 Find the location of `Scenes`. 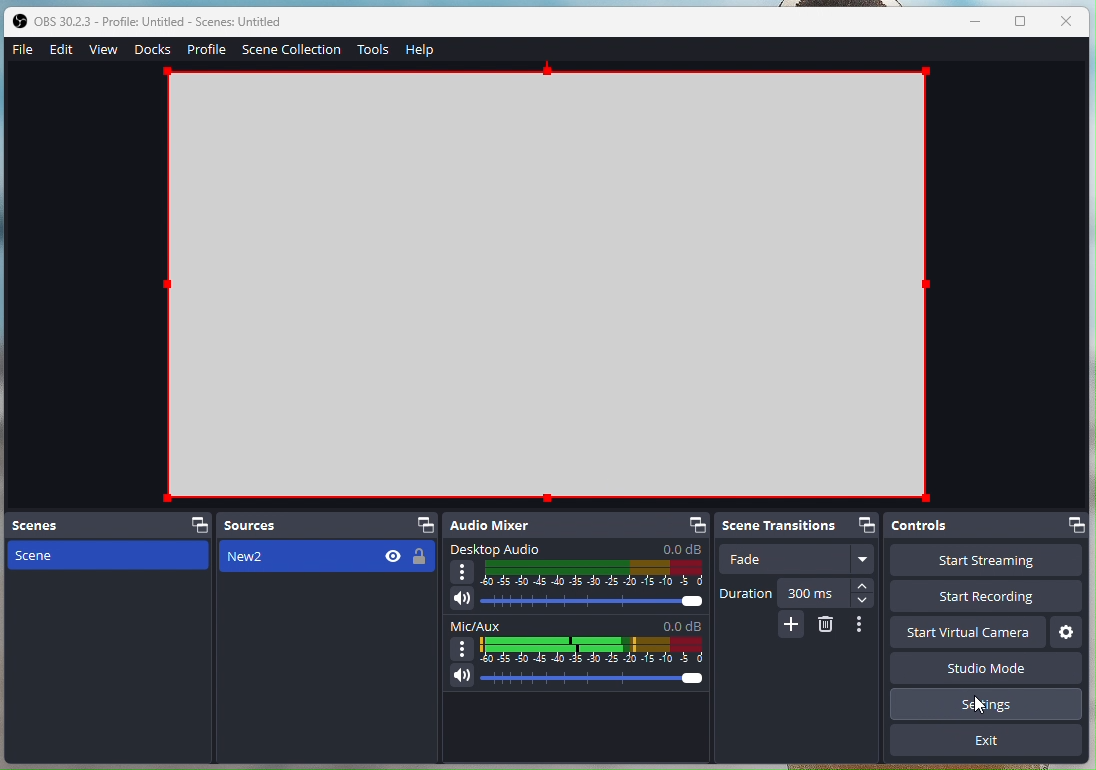

Scenes is located at coordinates (58, 524).